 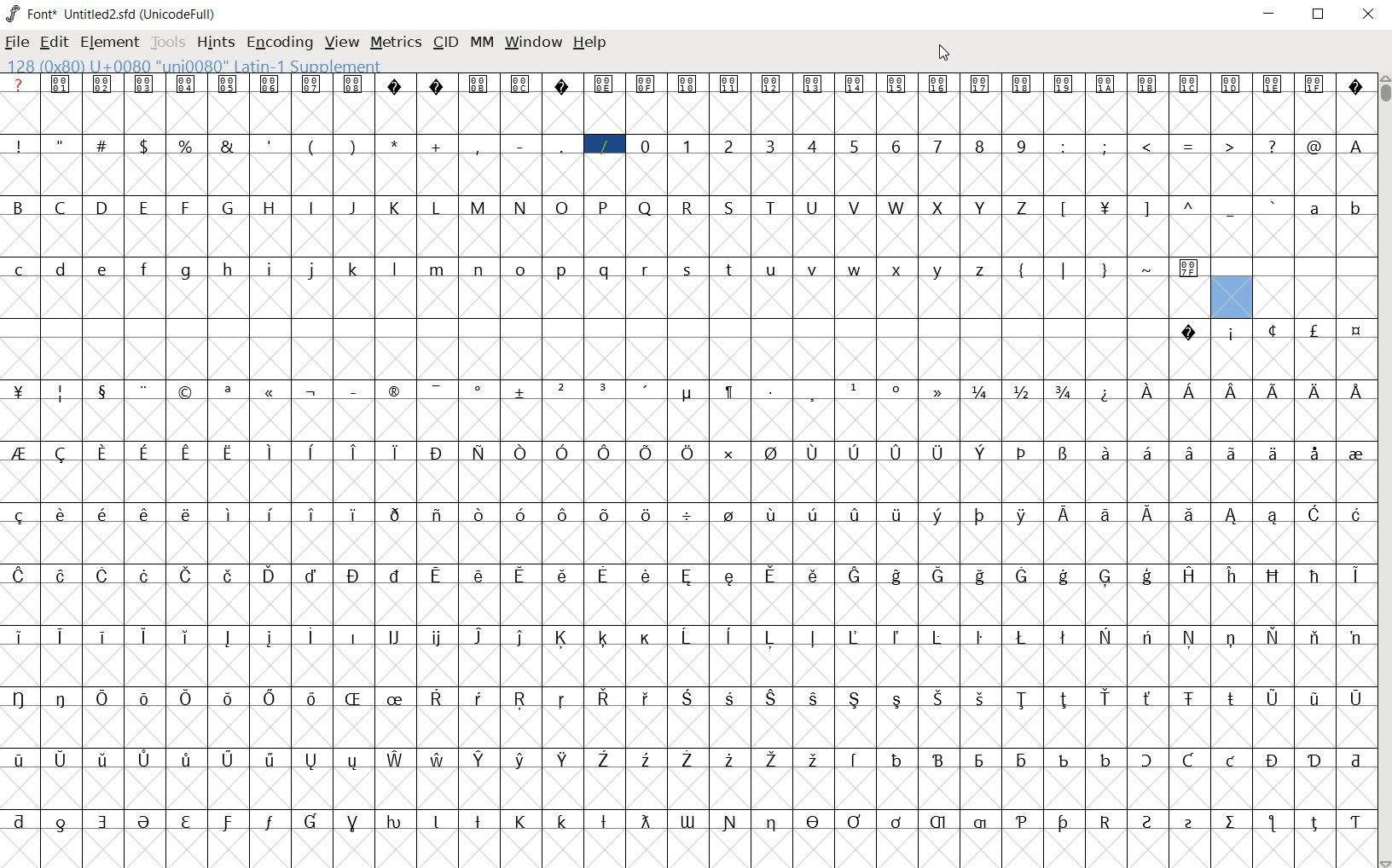 I want to click on FILE, so click(x=18, y=42).